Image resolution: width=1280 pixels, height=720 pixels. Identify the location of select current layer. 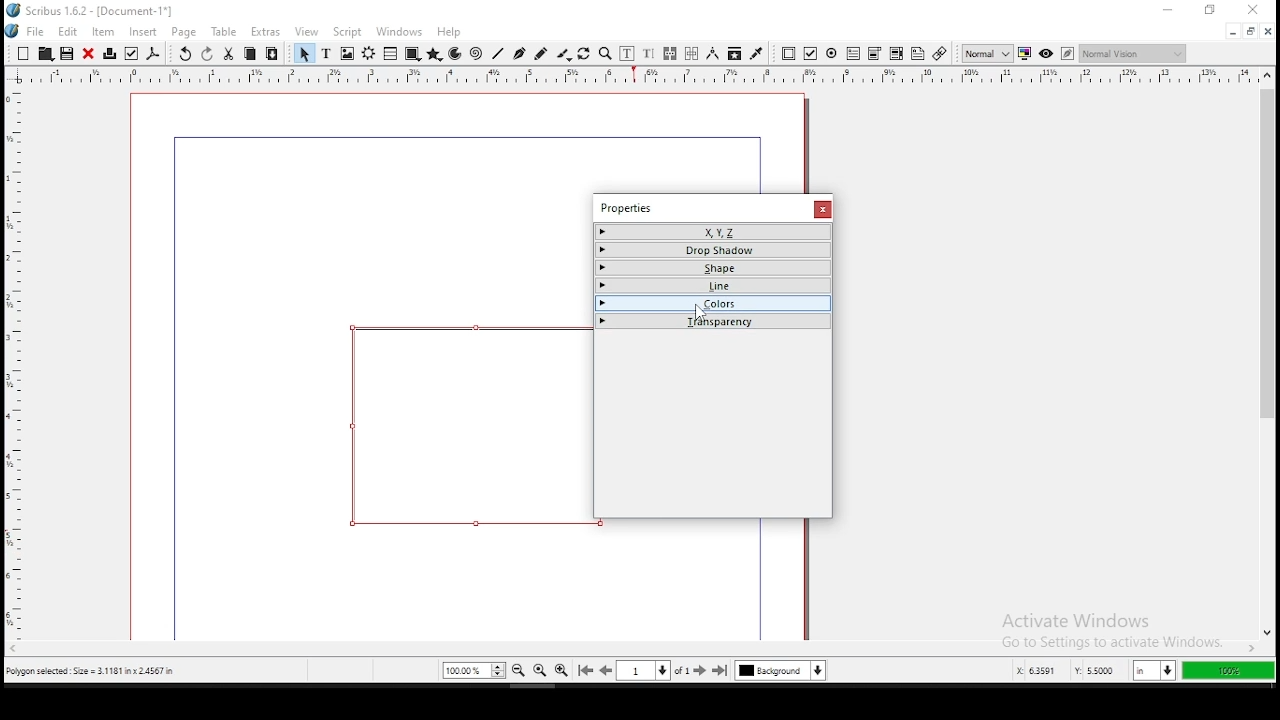
(780, 670).